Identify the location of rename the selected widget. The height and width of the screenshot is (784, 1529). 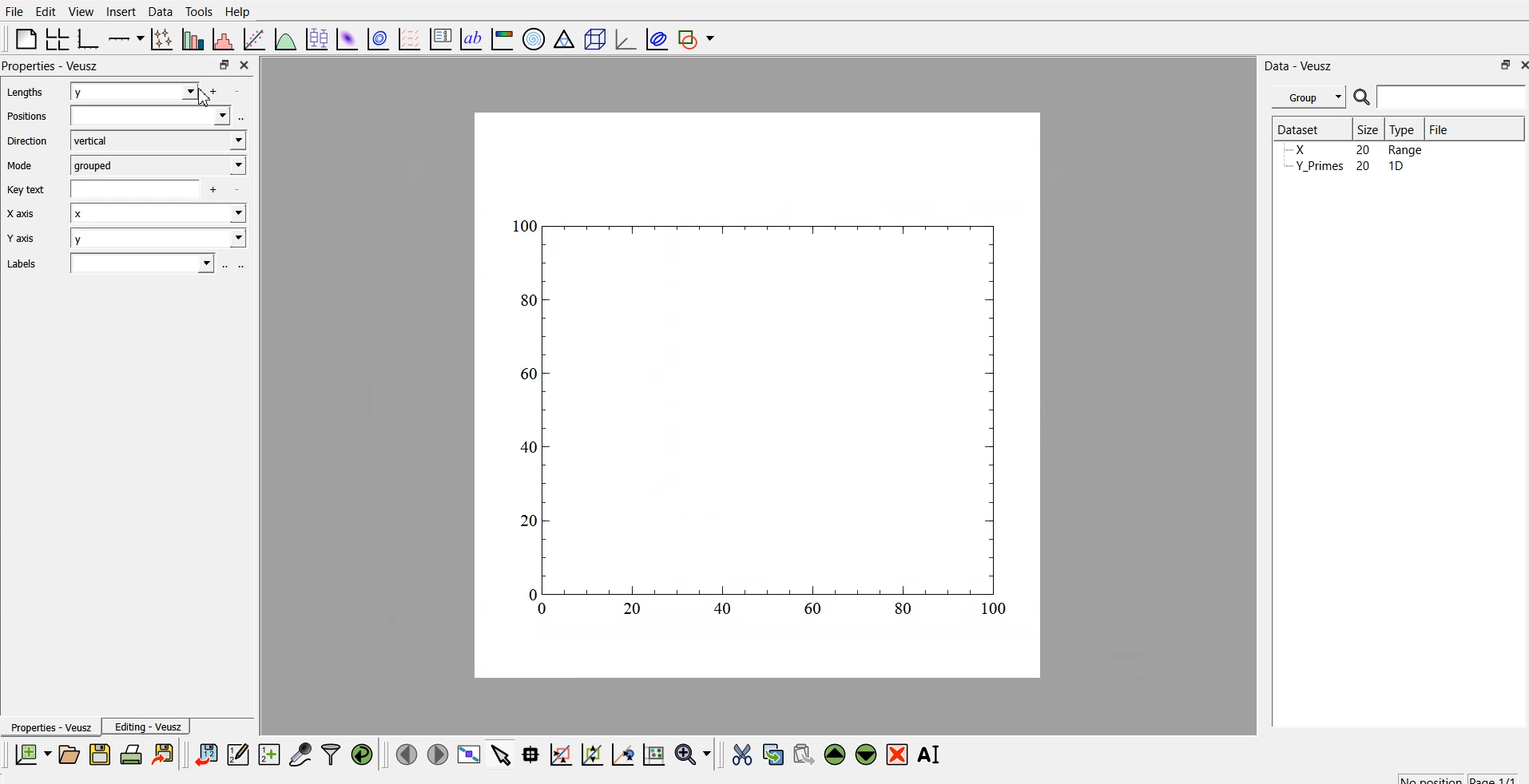
(933, 752).